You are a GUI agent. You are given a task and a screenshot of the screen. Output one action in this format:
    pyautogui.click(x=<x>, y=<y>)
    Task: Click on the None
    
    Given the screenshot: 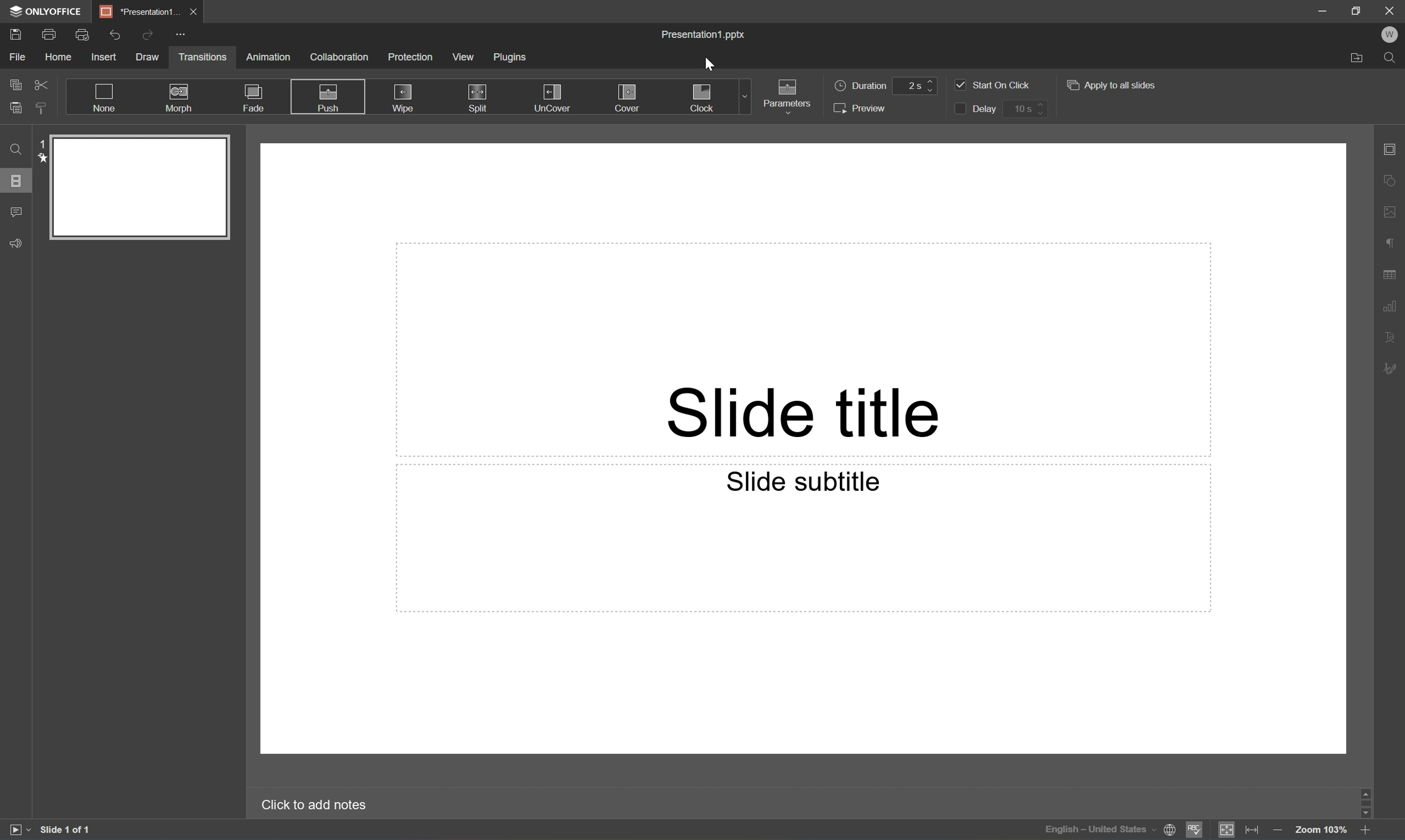 What is the action you would take?
    pyautogui.click(x=103, y=97)
    